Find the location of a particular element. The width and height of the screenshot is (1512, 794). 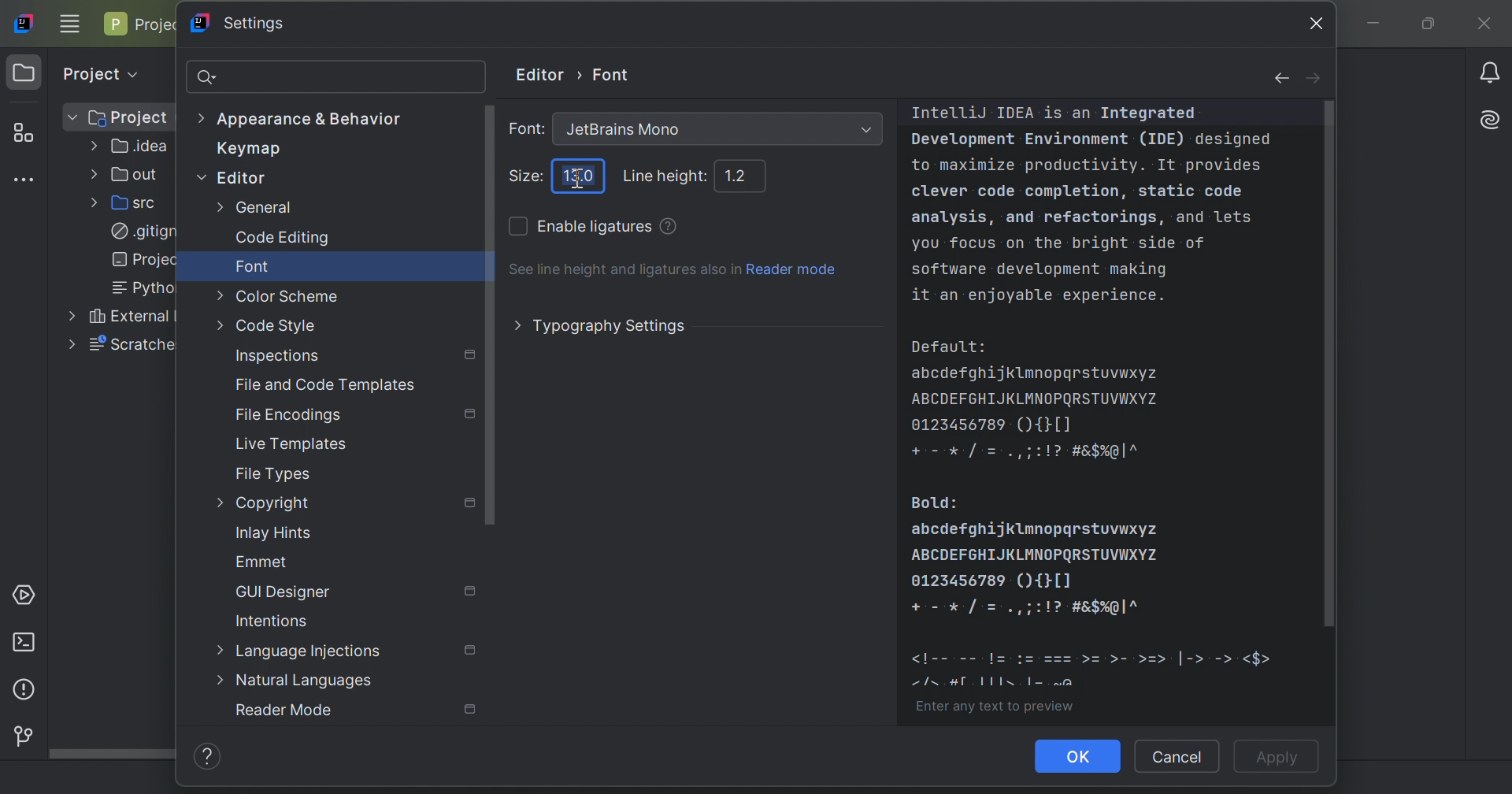

Code style is located at coordinates (265, 325).